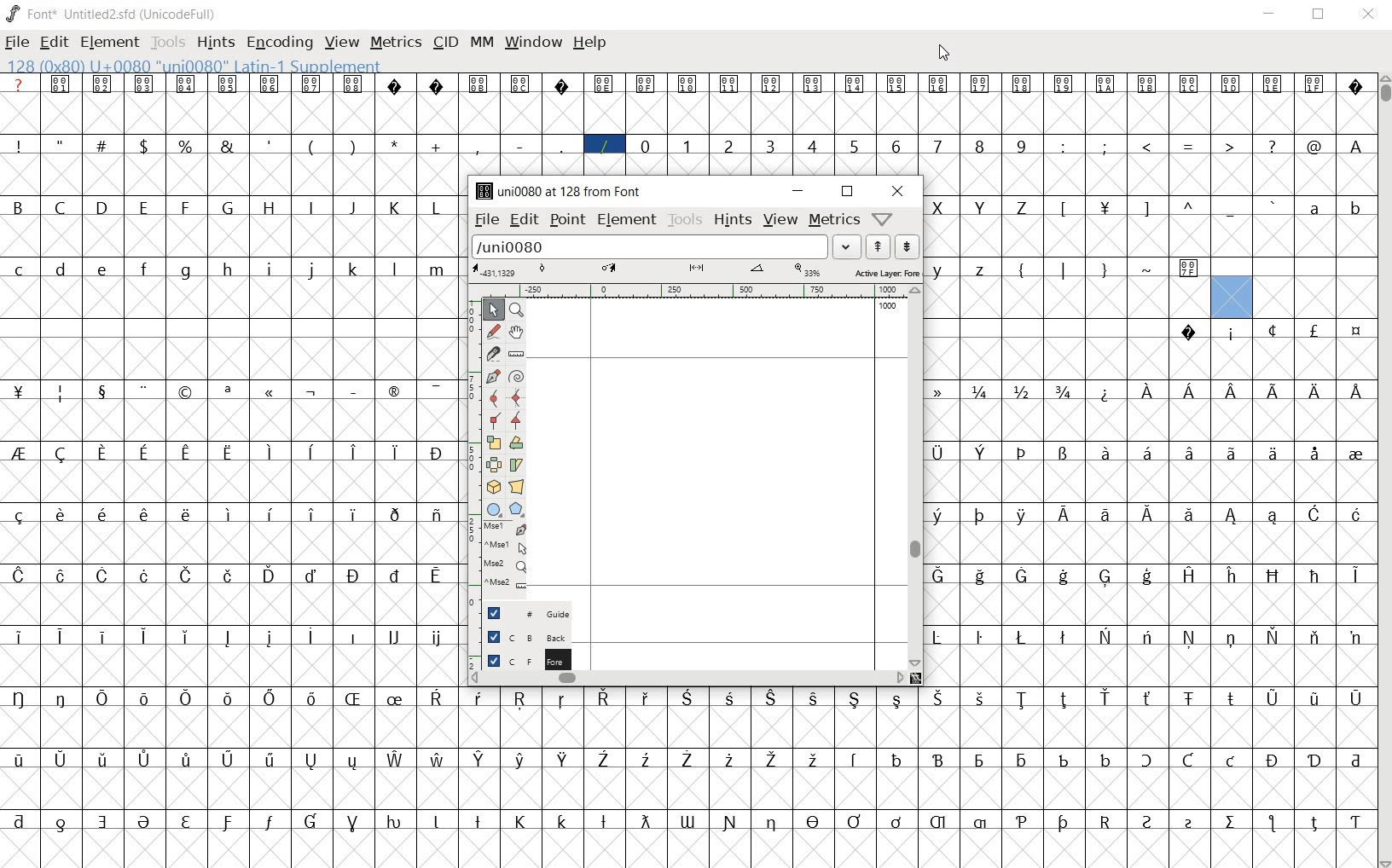 This screenshot has height=868, width=1392. I want to click on glyph, so click(1064, 576).